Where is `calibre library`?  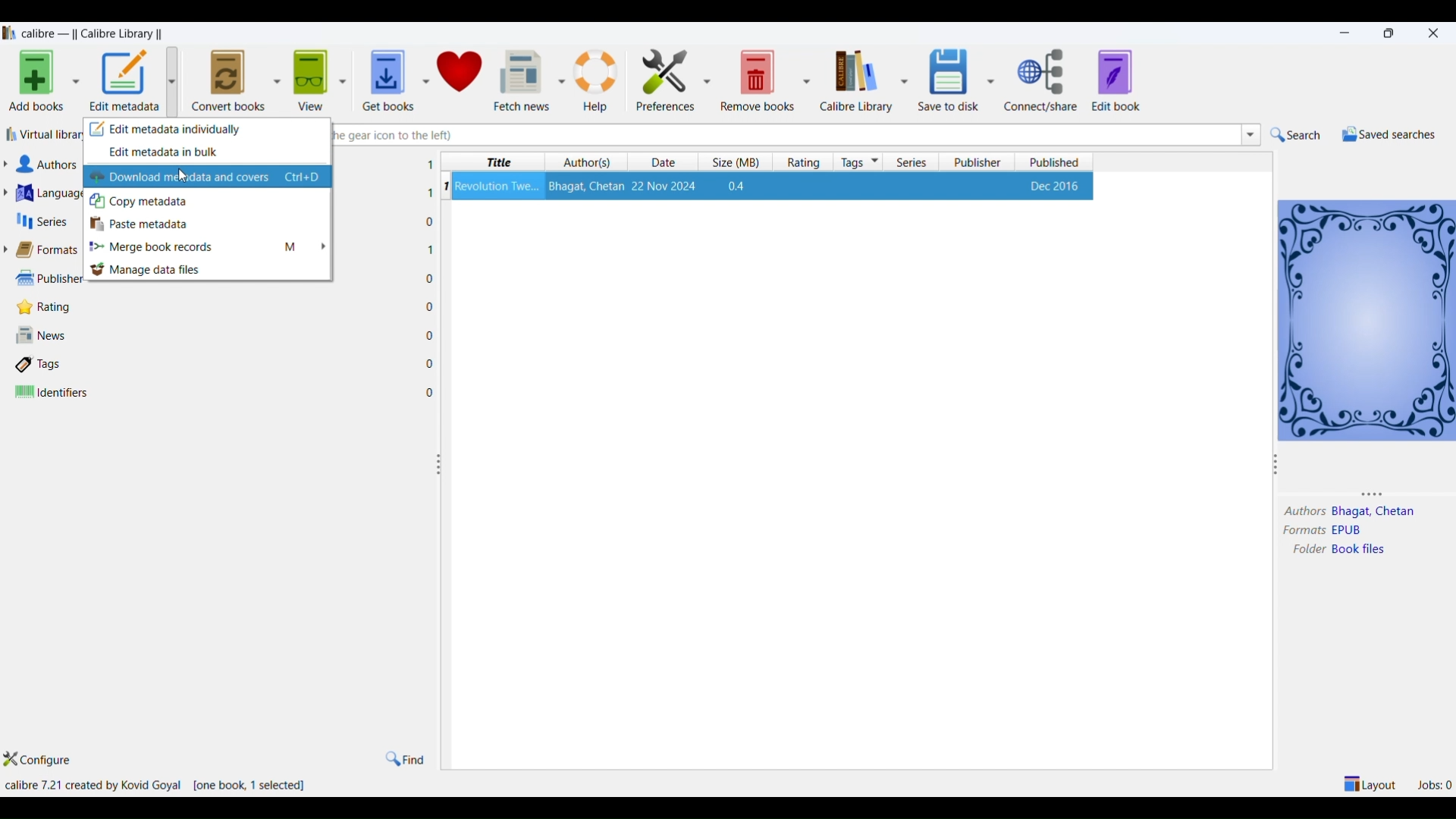
calibre library is located at coordinates (854, 80).